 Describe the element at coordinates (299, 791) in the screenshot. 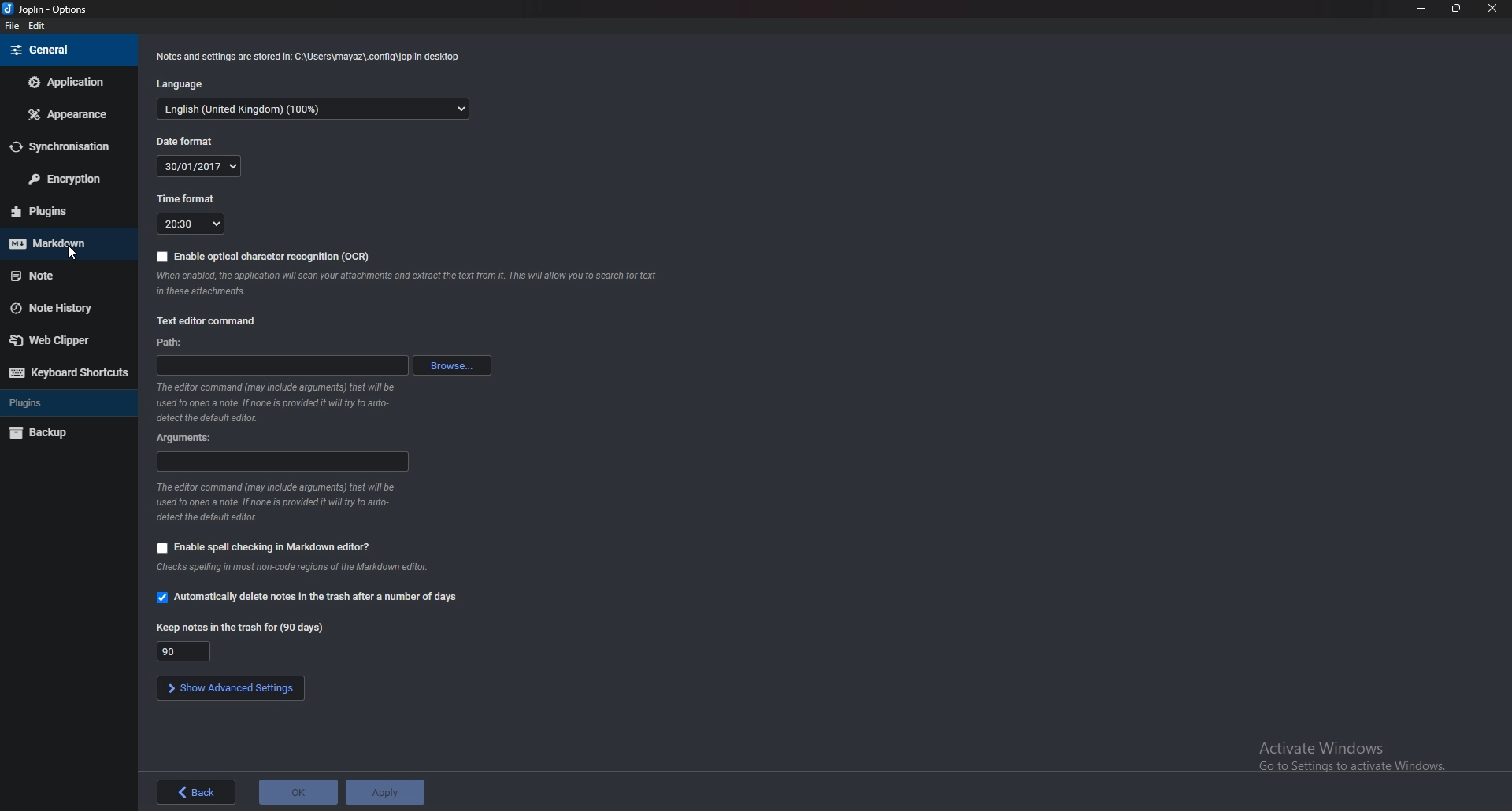

I see `ok` at that location.